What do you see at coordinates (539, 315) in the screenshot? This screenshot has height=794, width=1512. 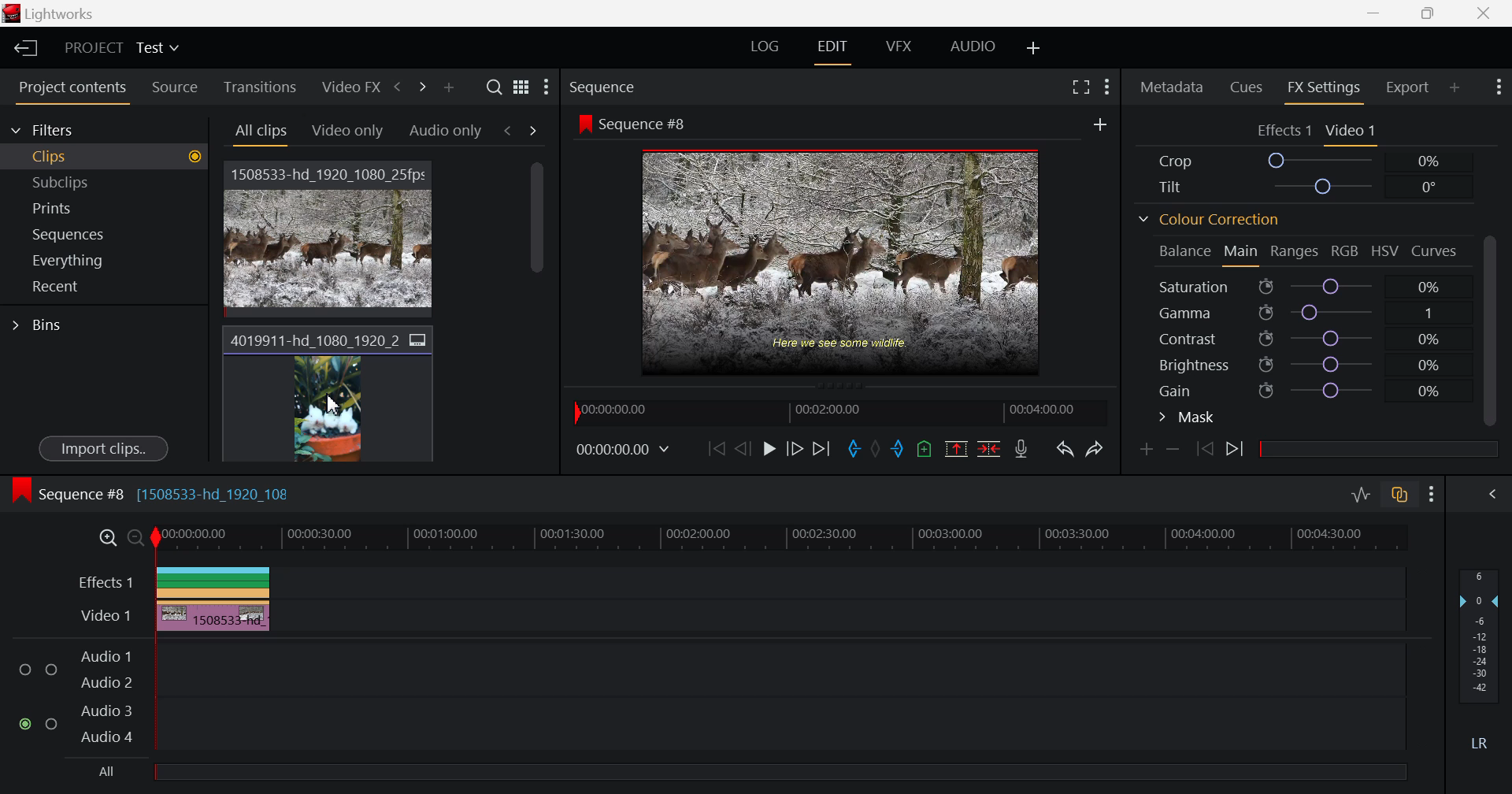 I see `Scroll Bar` at bounding box center [539, 315].